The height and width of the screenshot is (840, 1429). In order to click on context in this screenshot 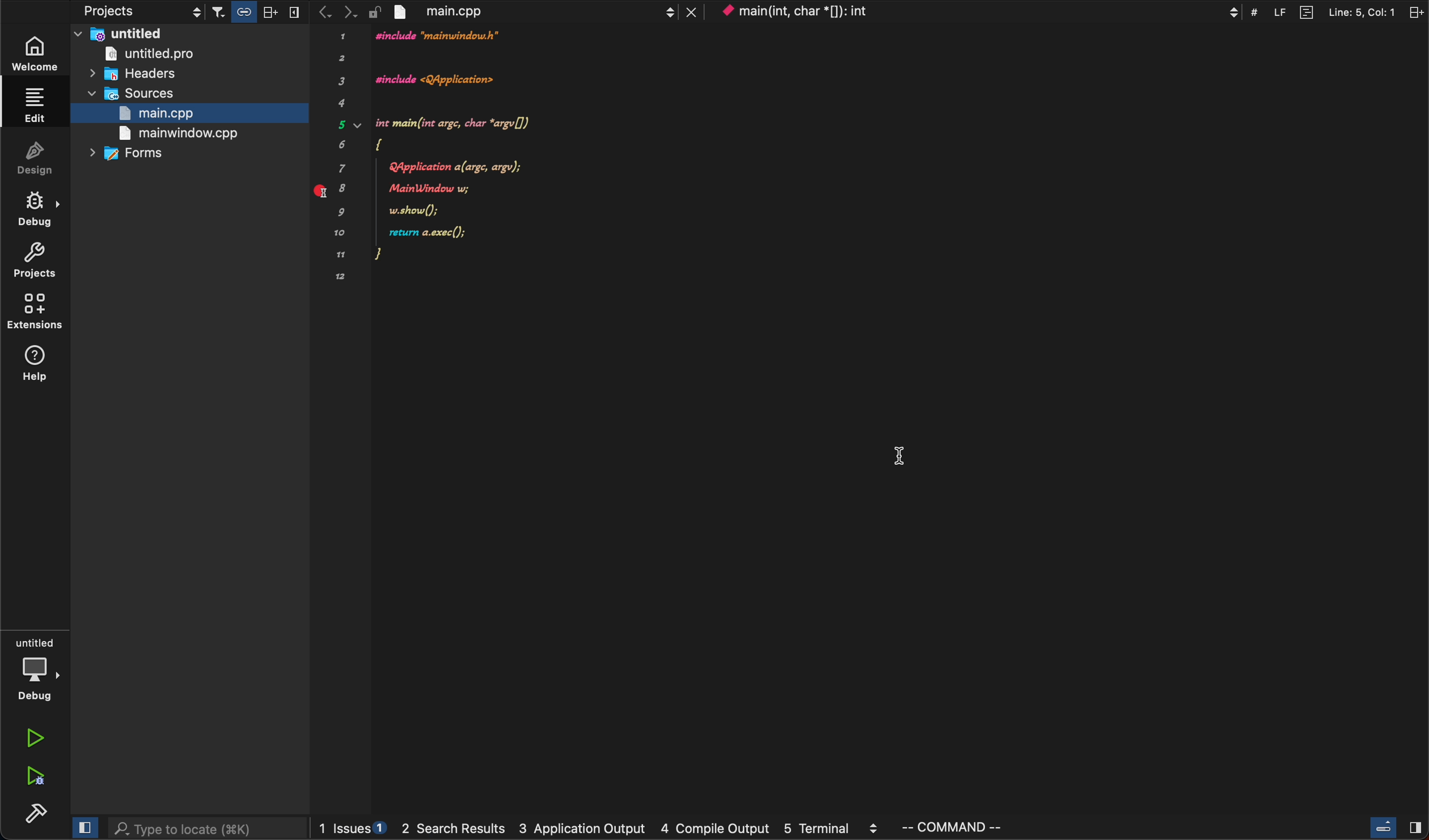, I will do `click(979, 12)`.